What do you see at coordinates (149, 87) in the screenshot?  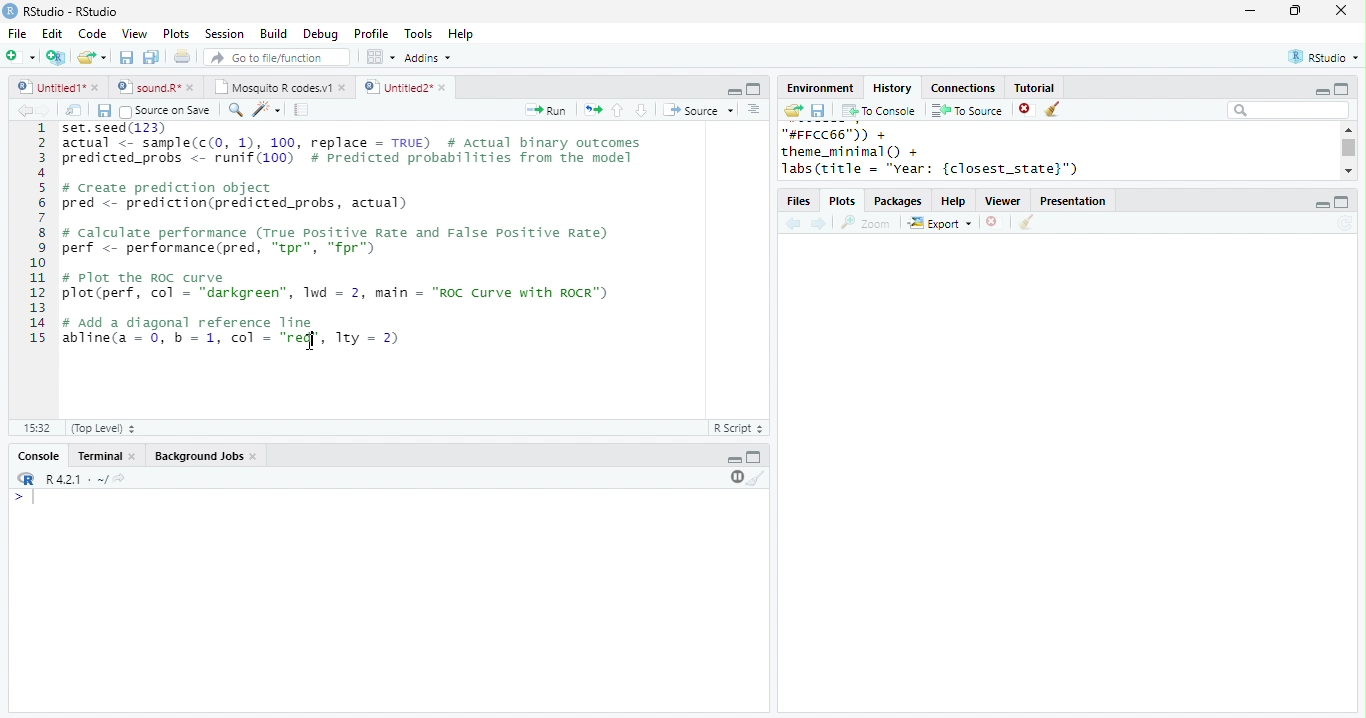 I see `sound.R` at bounding box center [149, 87].